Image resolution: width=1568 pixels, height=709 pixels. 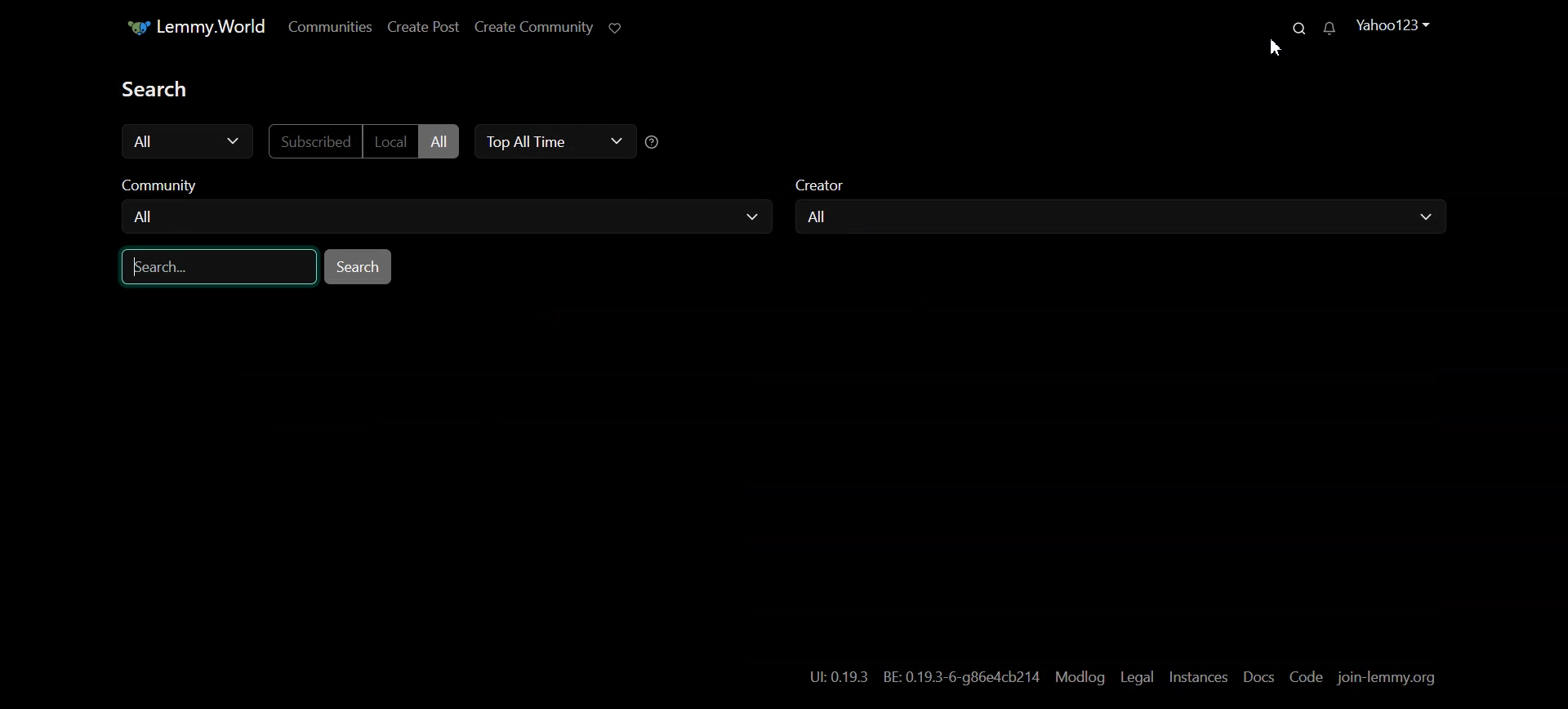 What do you see at coordinates (615, 27) in the screenshot?
I see `Support limmy` at bounding box center [615, 27].